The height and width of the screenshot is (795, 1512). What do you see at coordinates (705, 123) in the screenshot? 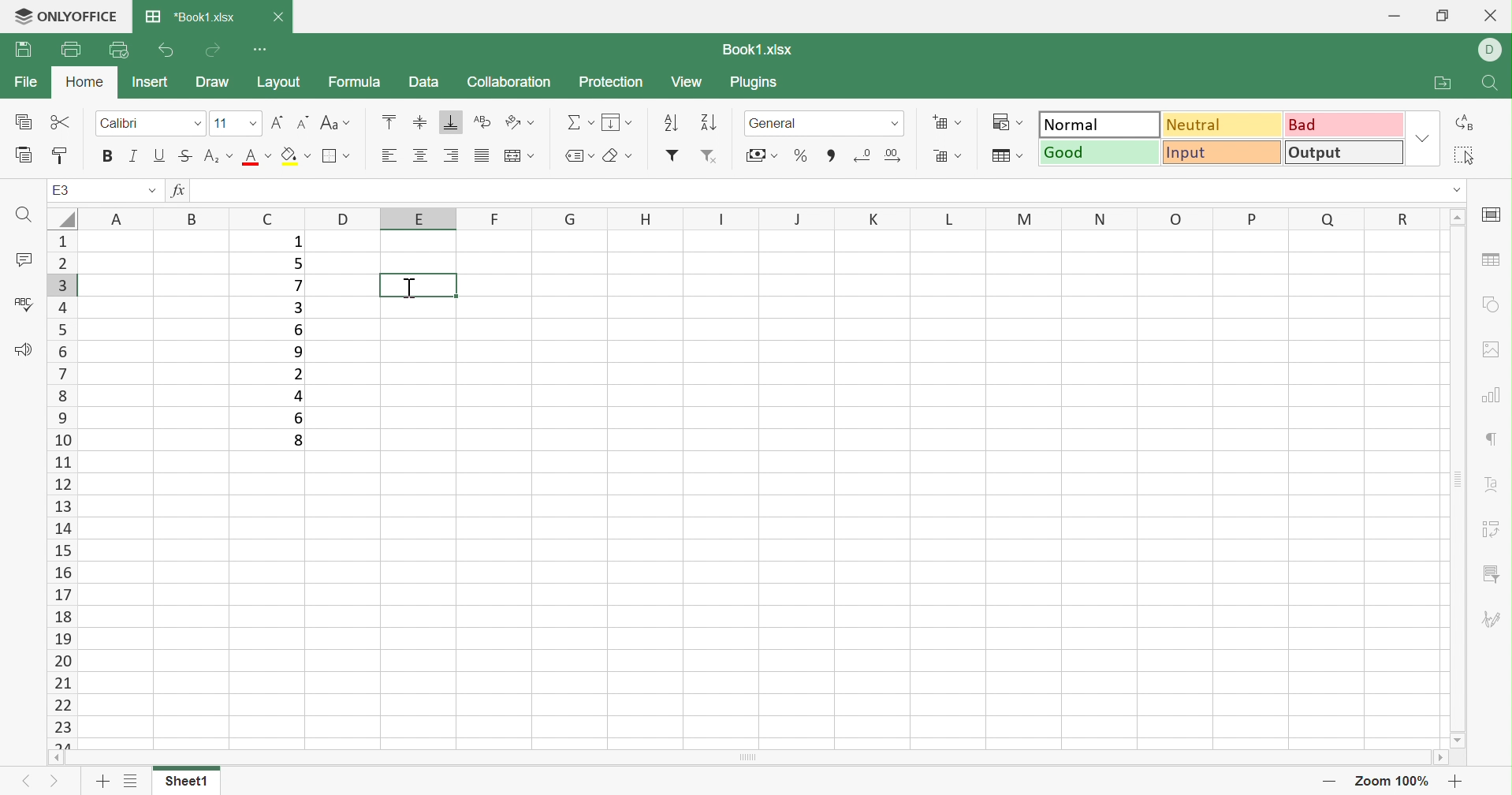
I see `Descending order` at bounding box center [705, 123].